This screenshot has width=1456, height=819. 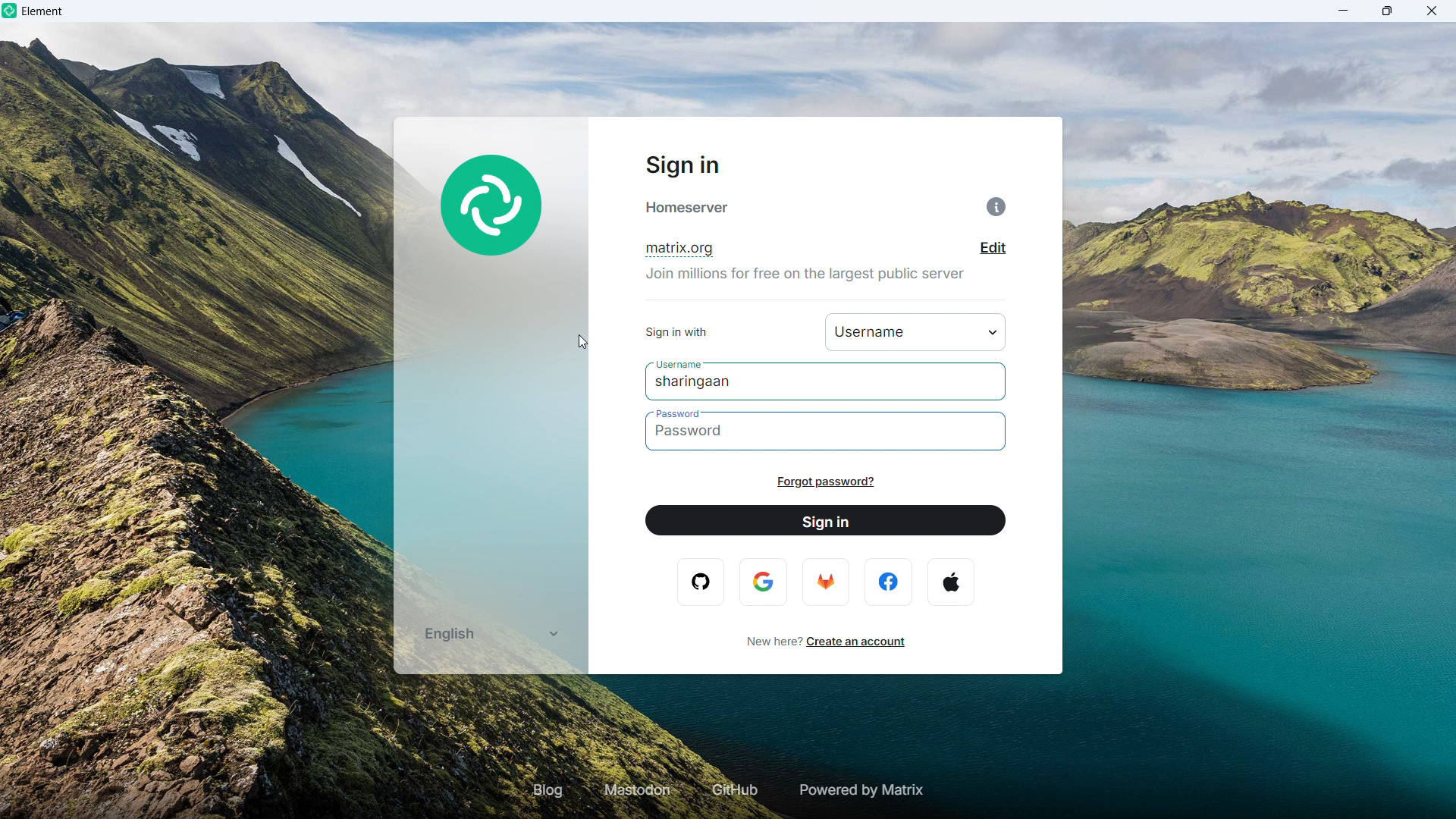 I want to click on Username typed in , so click(x=698, y=383).